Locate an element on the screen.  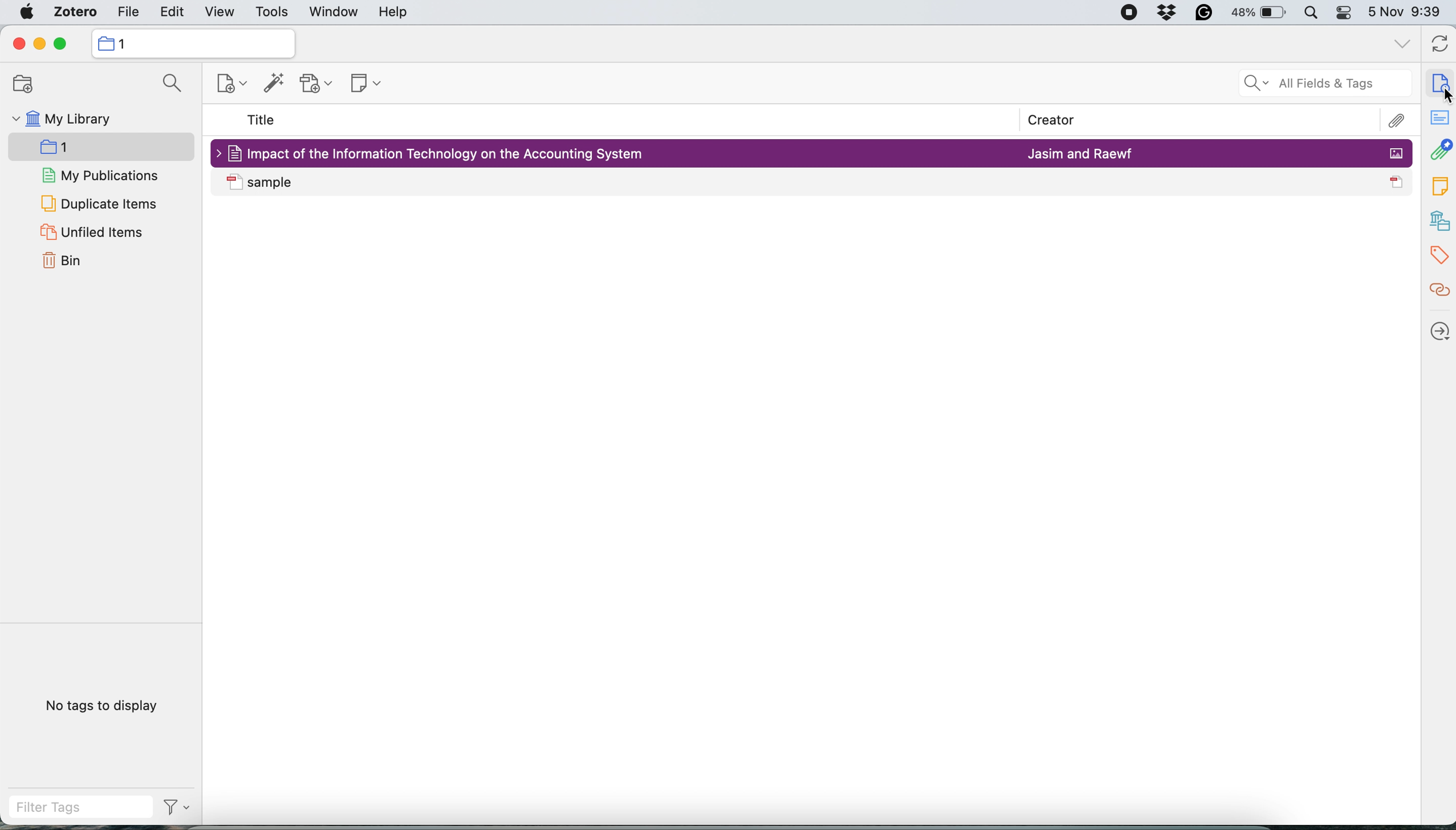
input filter tags is located at coordinates (83, 808).